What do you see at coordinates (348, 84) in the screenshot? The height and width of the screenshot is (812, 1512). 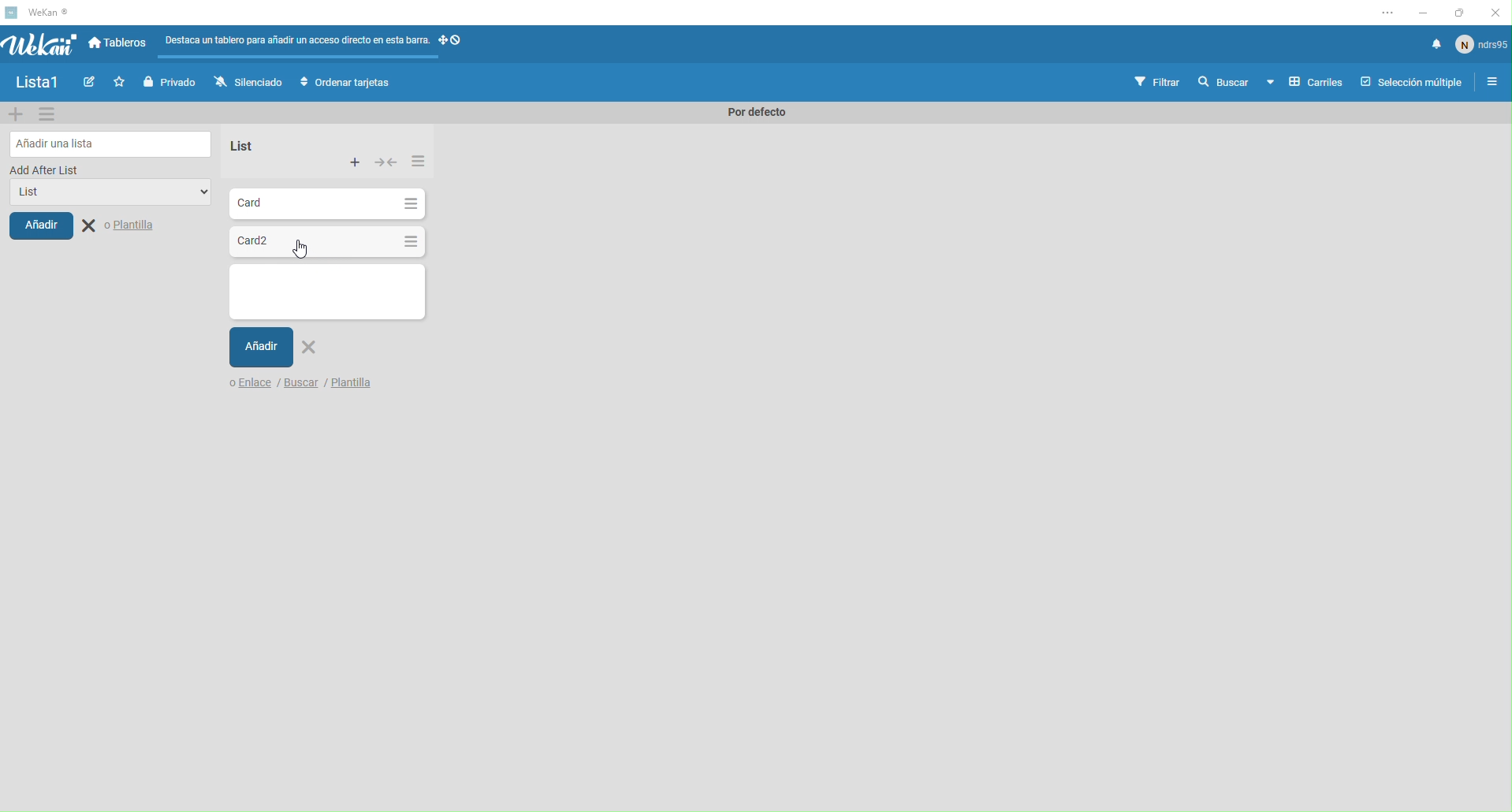 I see `ordenar tarjetas` at bounding box center [348, 84].